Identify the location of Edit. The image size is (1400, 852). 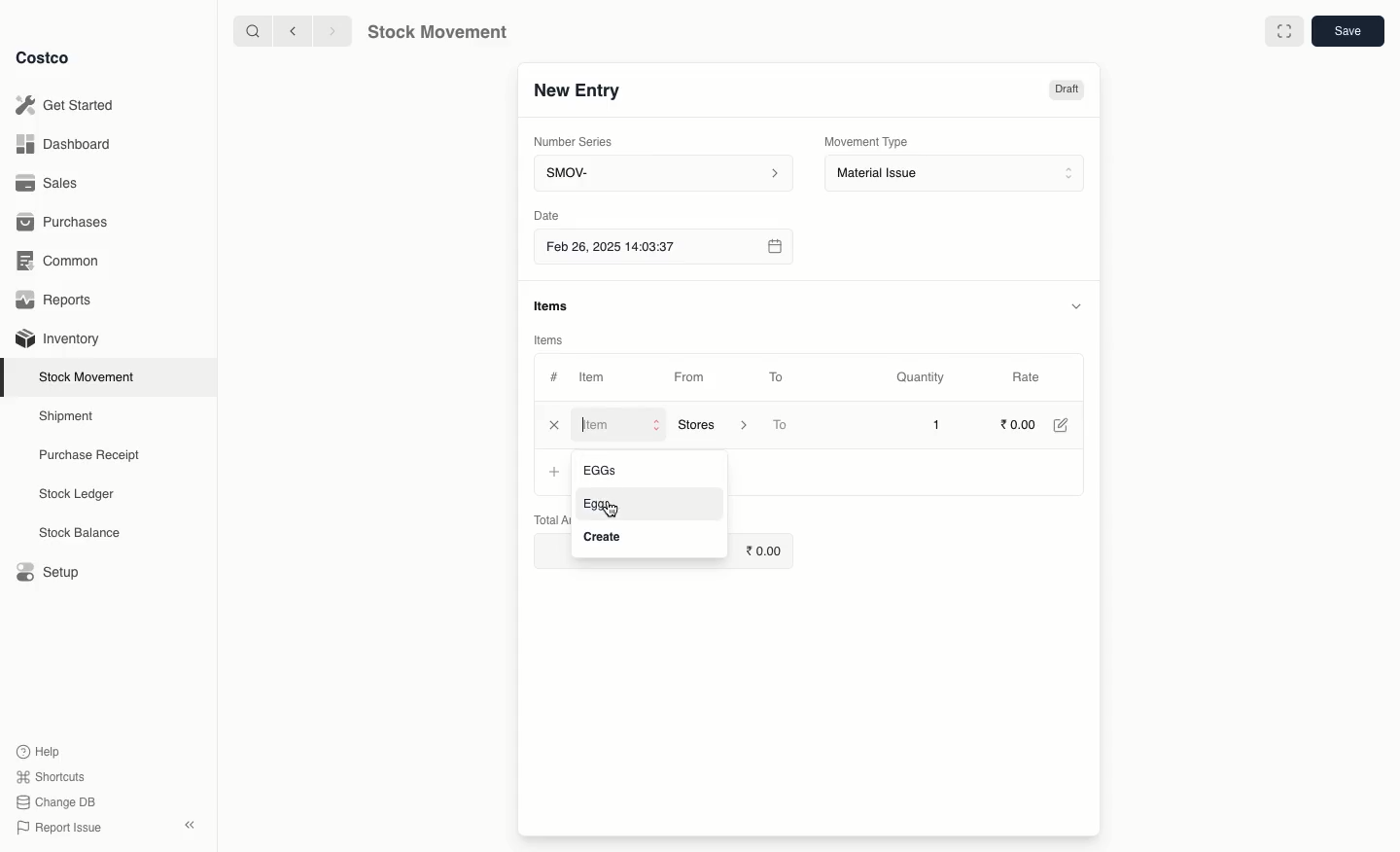
(1066, 427).